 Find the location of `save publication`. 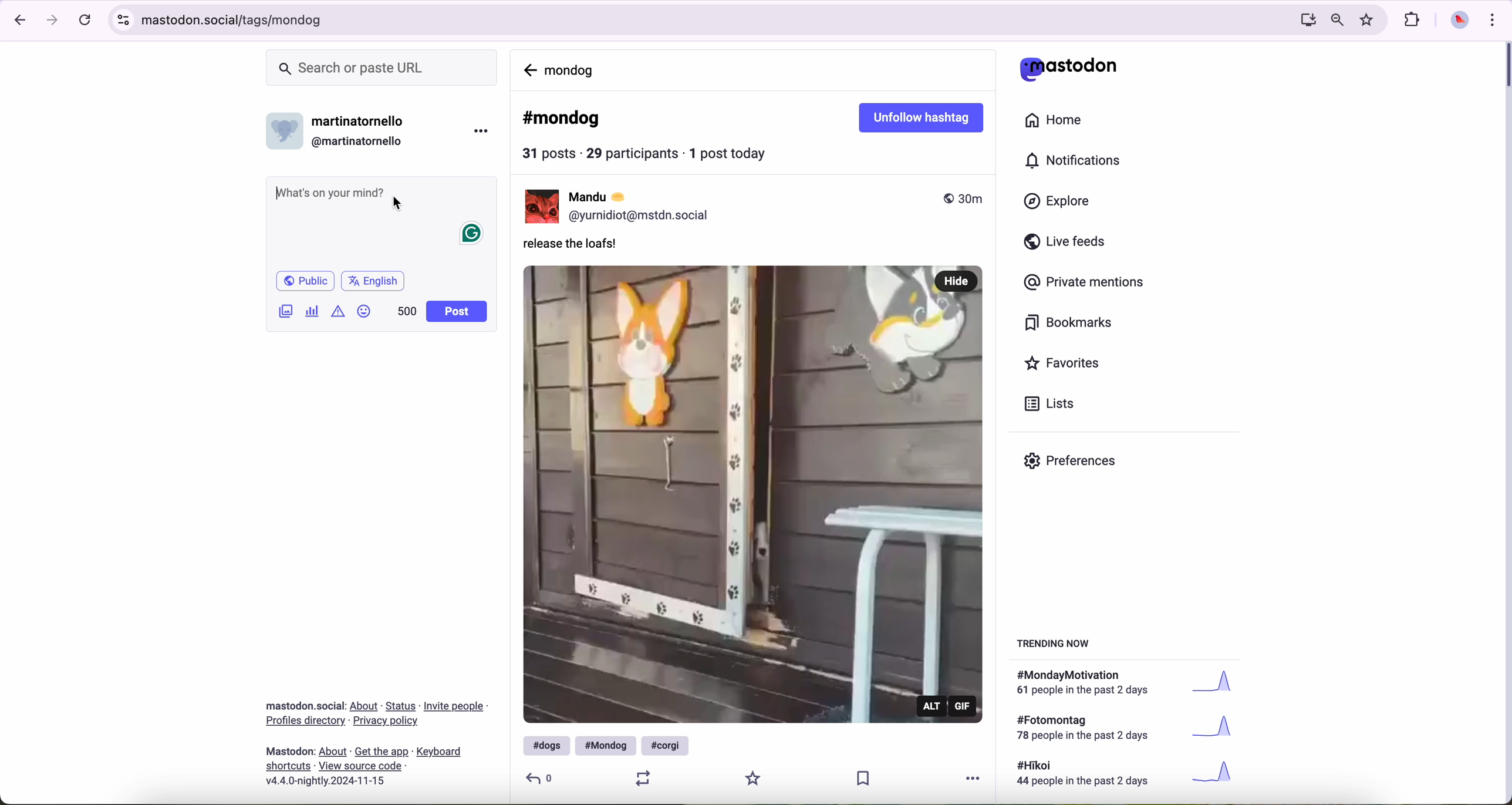

save publication is located at coordinates (868, 780).